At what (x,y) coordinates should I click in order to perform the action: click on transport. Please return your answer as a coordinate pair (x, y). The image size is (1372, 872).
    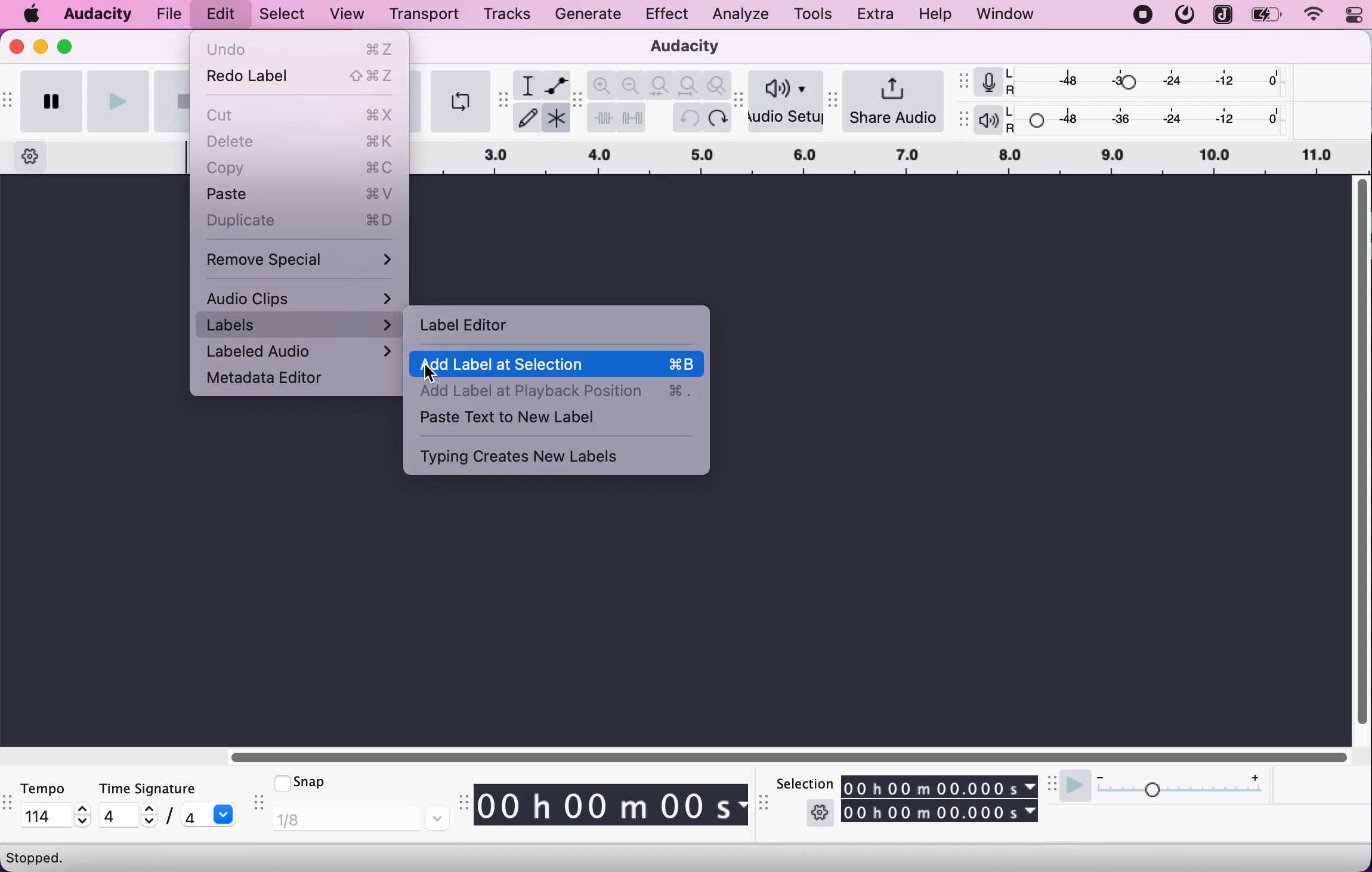
    Looking at the image, I should click on (422, 14).